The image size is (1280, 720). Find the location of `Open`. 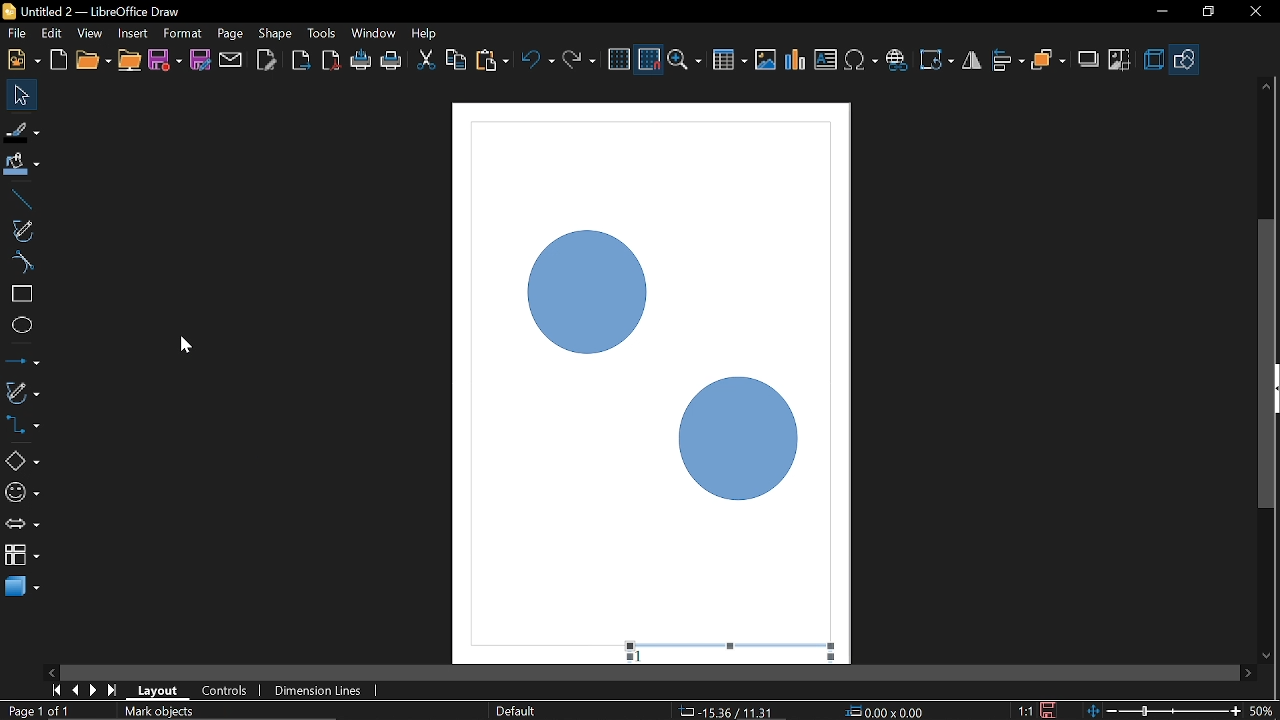

Open is located at coordinates (92, 61).